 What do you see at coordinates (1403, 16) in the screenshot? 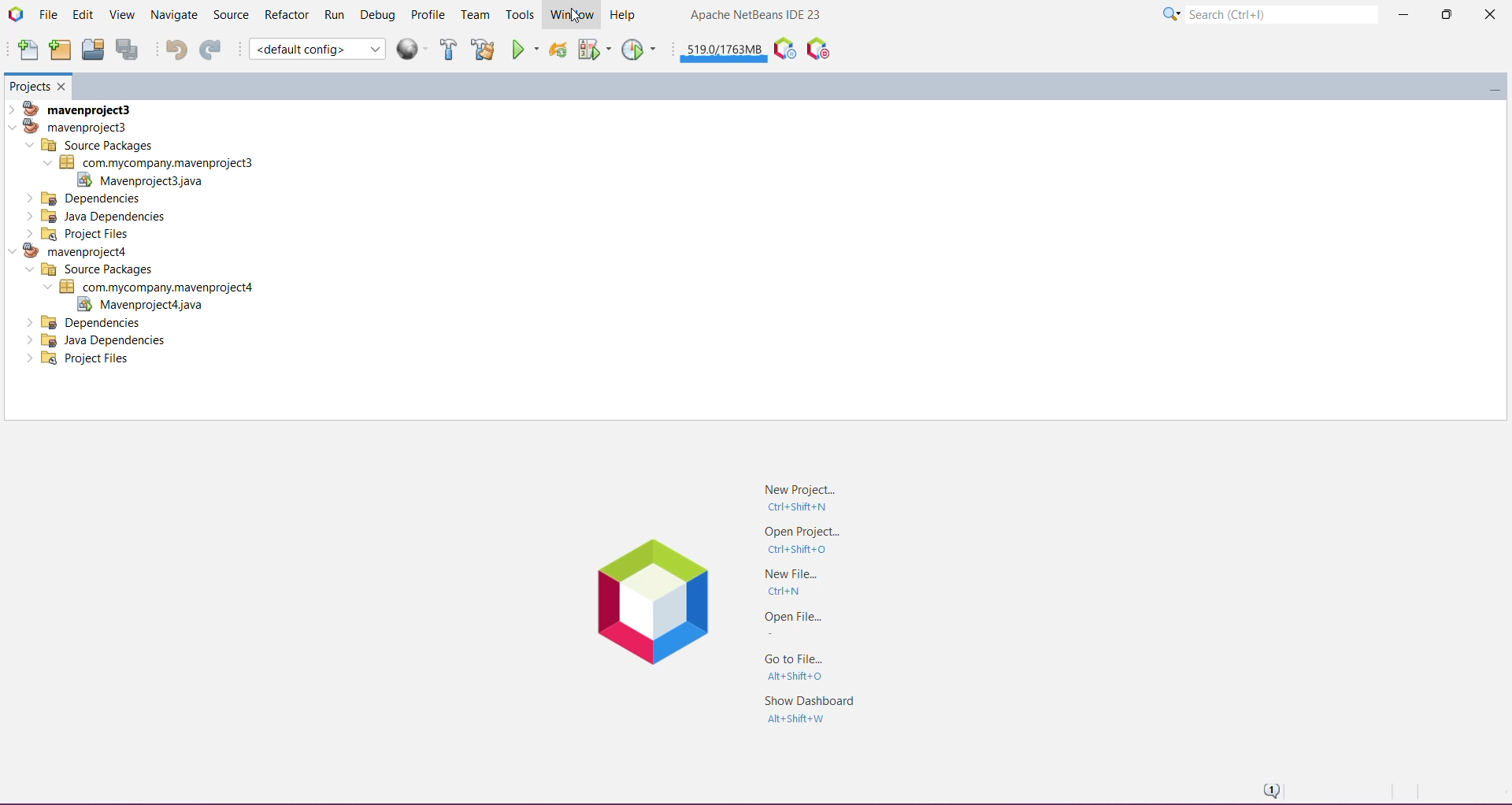
I see `Minimize` at bounding box center [1403, 16].